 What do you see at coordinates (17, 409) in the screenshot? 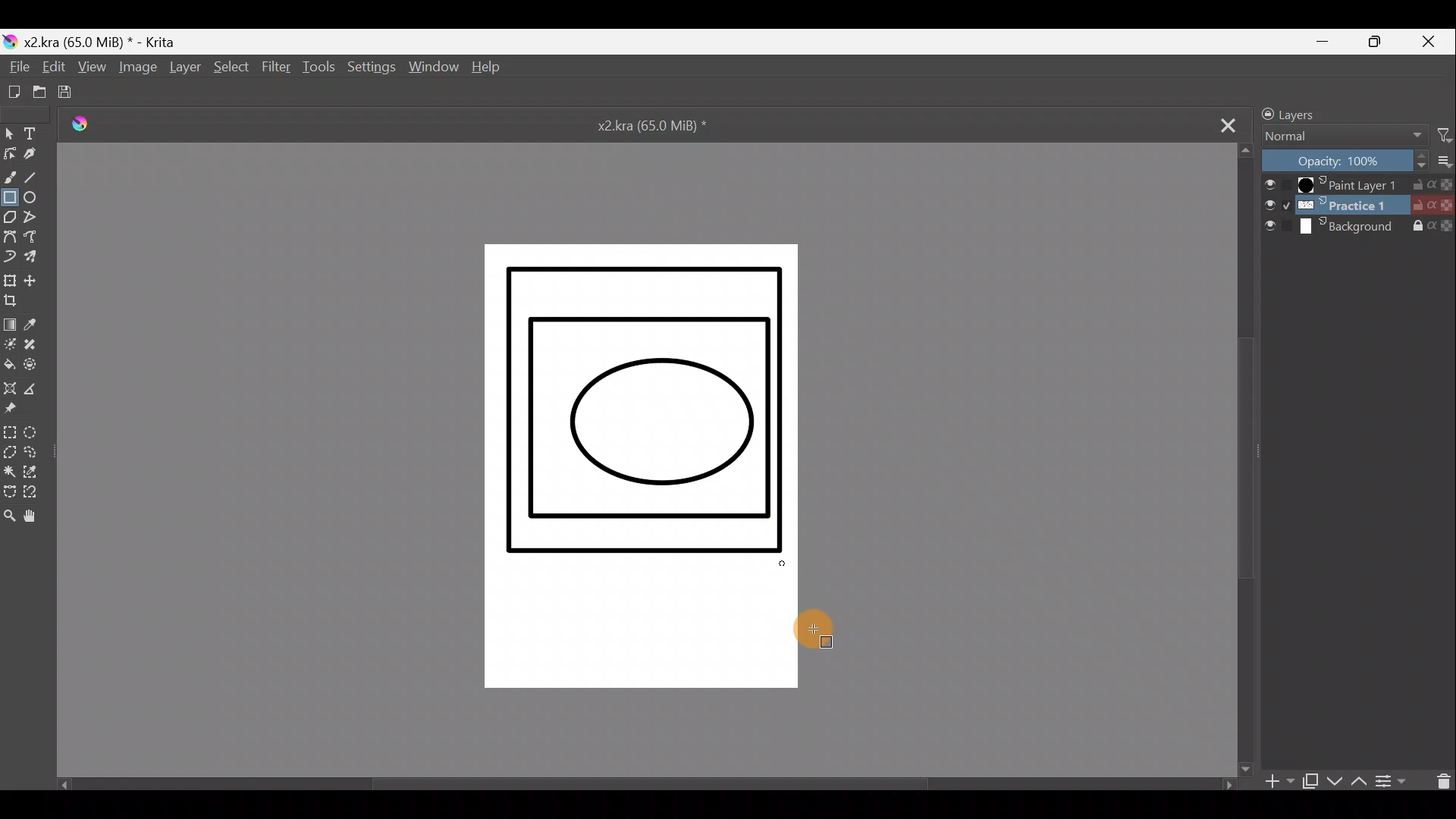
I see `Reference images tool` at bounding box center [17, 409].